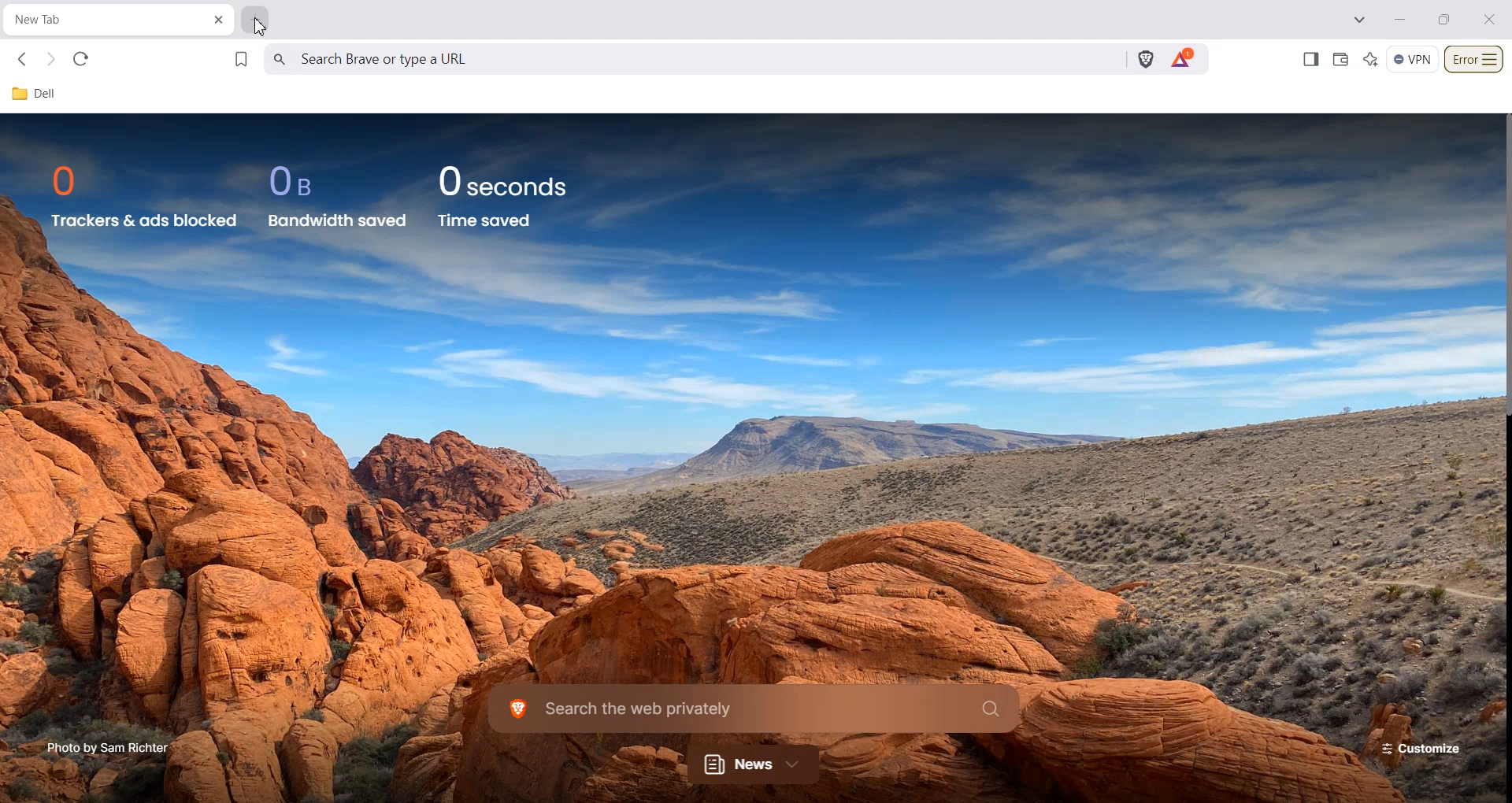  I want to click on Minimize, so click(1399, 20).